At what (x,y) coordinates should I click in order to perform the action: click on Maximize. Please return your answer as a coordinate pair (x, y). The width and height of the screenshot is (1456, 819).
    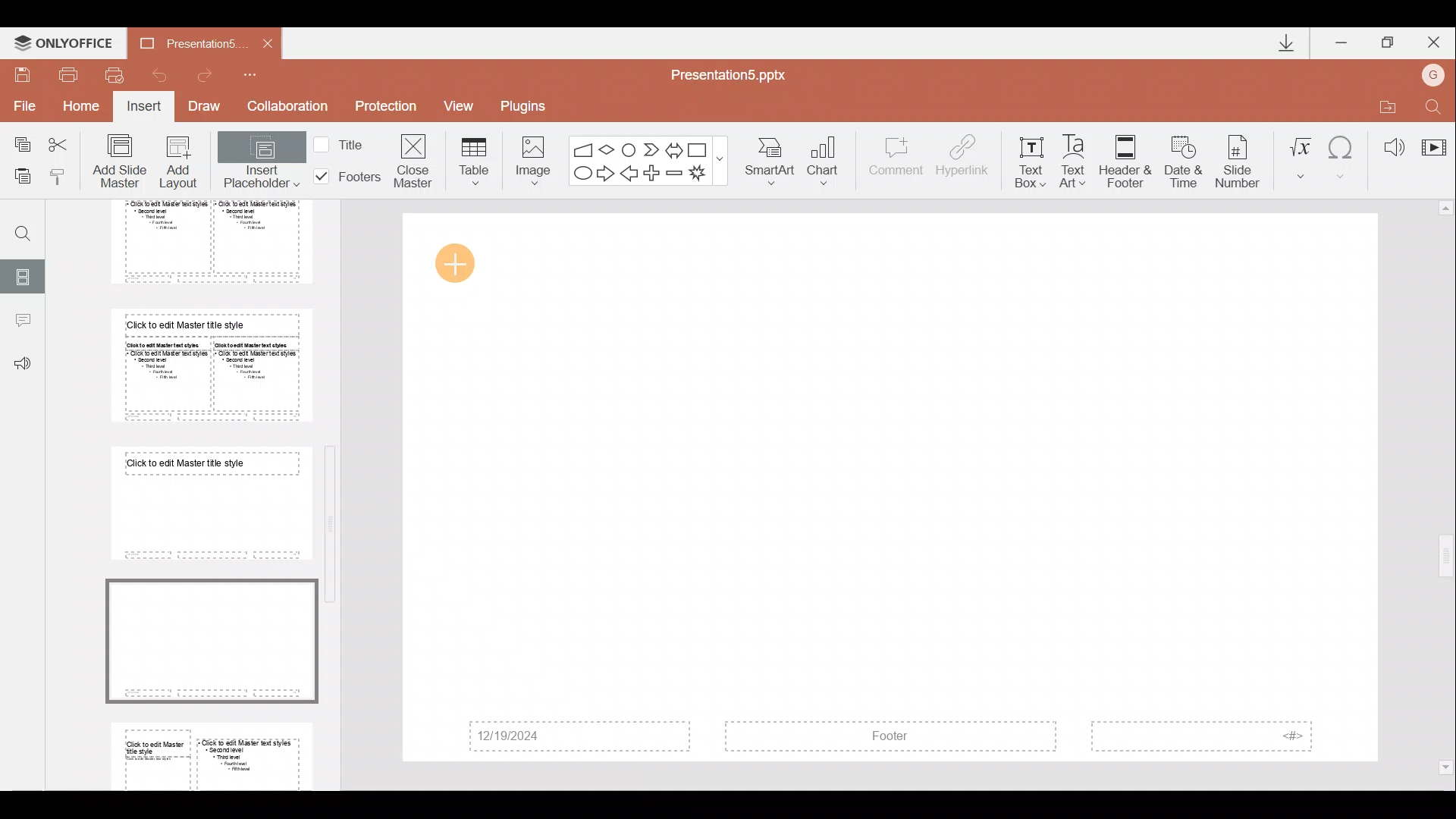
    Looking at the image, I should click on (1389, 40).